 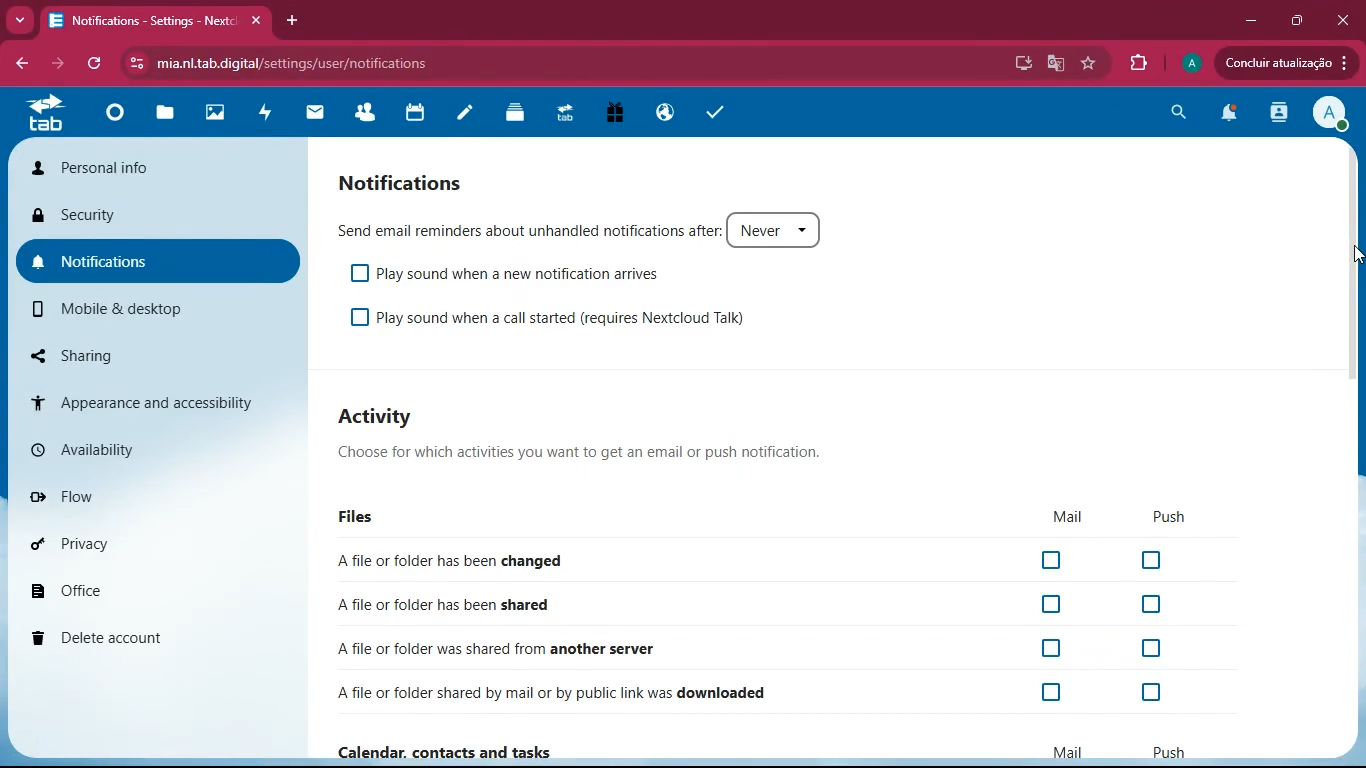 What do you see at coordinates (136, 546) in the screenshot?
I see `privacy` at bounding box center [136, 546].